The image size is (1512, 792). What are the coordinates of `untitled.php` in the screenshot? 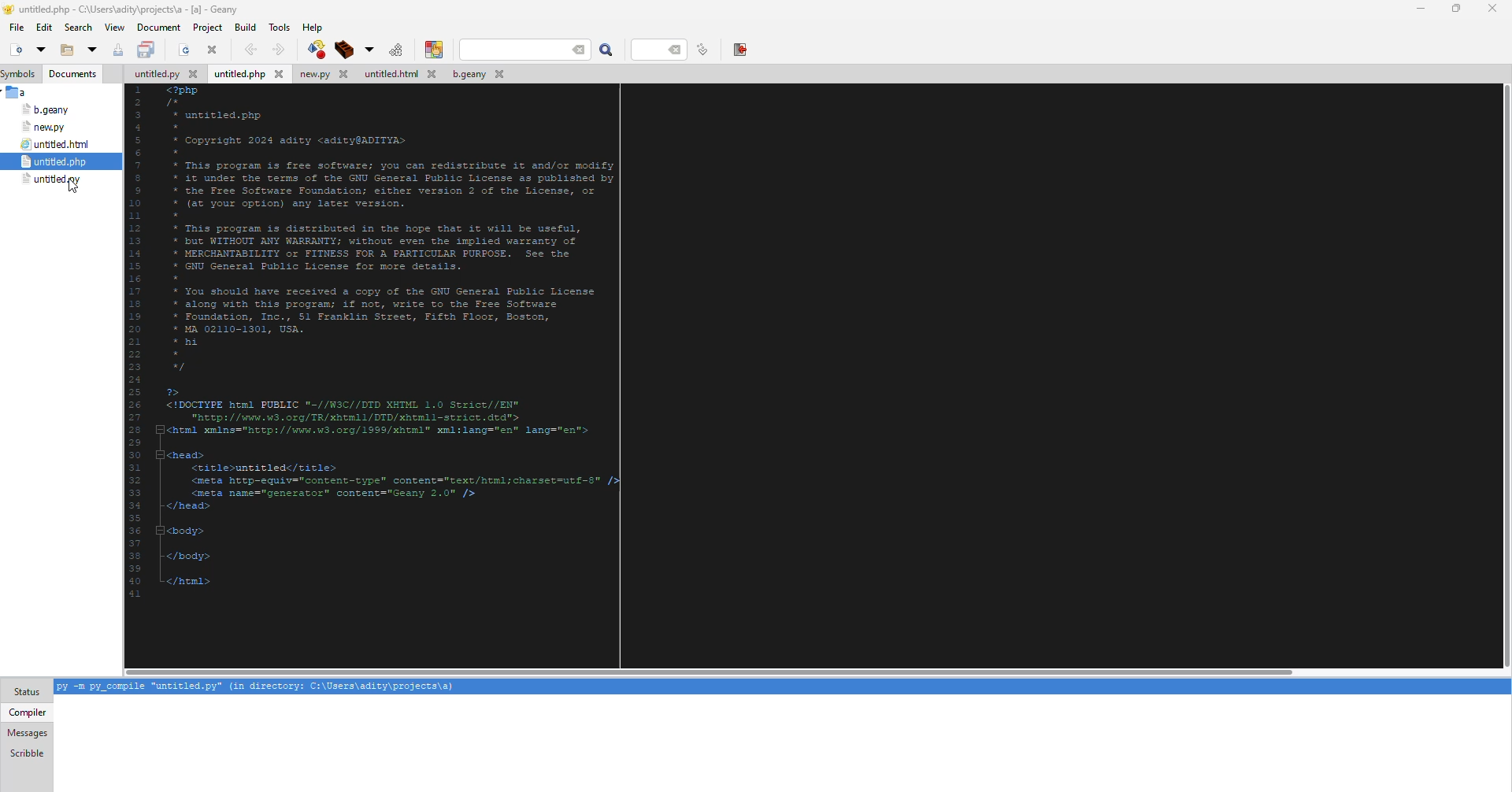 It's located at (251, 73).